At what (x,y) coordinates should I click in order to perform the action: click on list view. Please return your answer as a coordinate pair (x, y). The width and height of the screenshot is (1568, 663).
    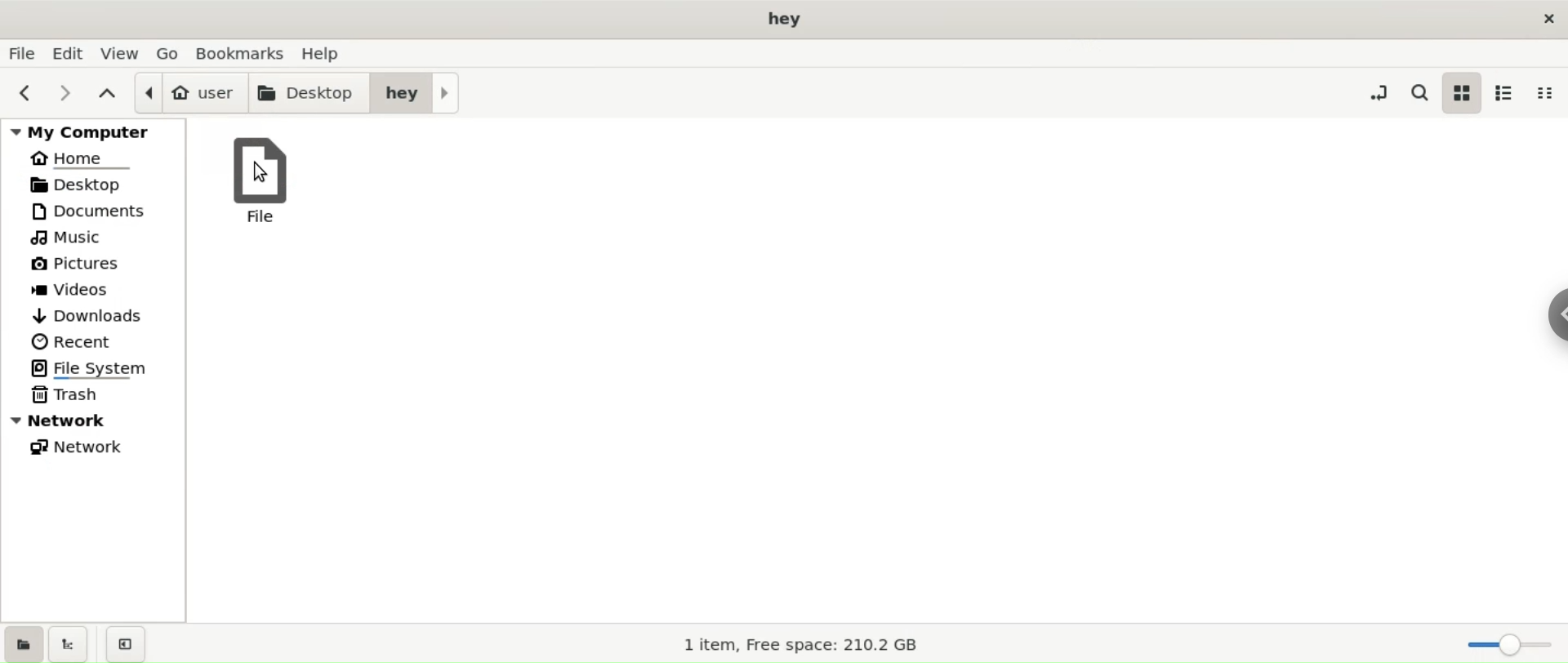
    Looking at the image, I should click on (1503, 94).